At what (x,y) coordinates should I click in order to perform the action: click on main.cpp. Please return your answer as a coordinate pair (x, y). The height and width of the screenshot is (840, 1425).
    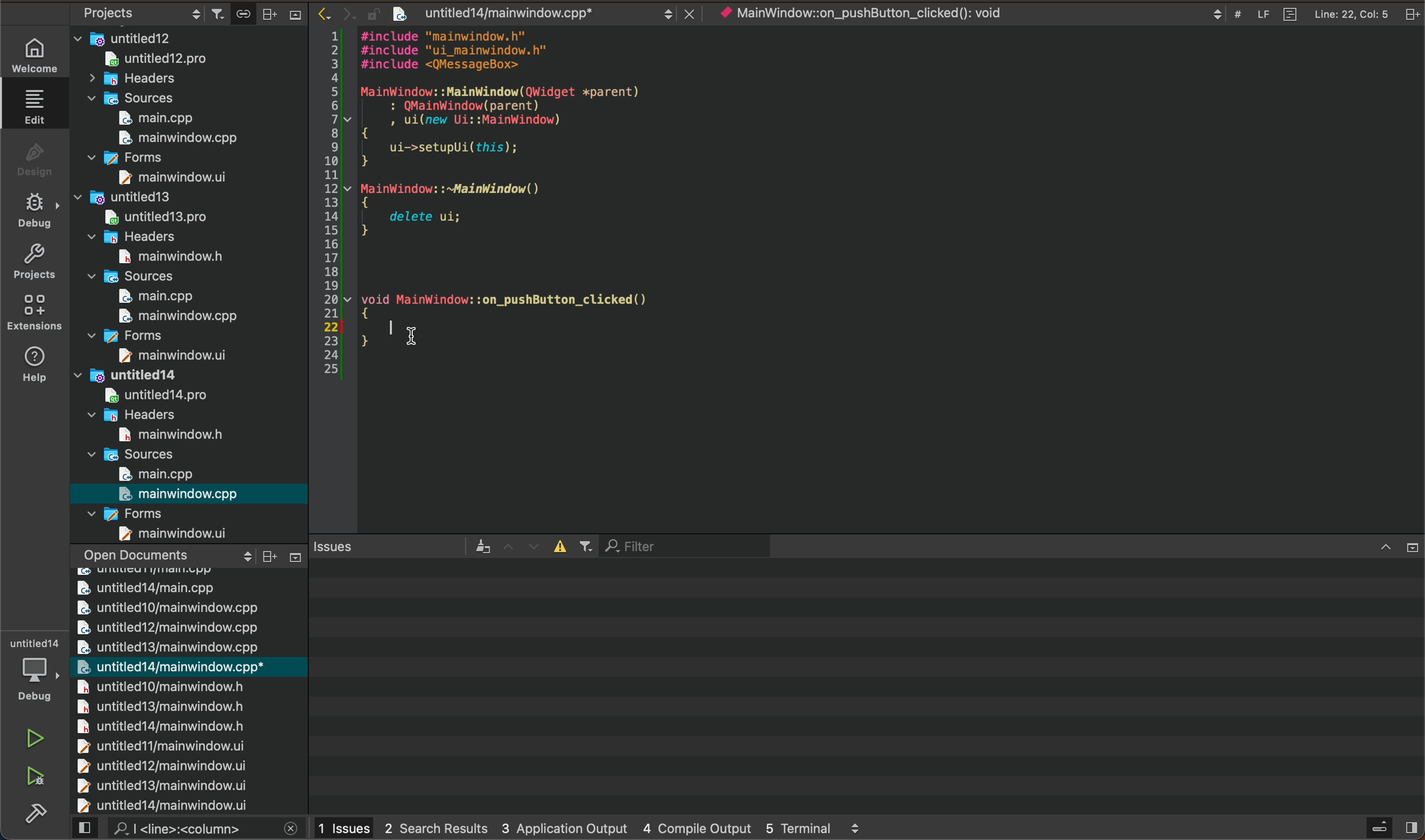
    Looking at the image, I should click on (160, 474).